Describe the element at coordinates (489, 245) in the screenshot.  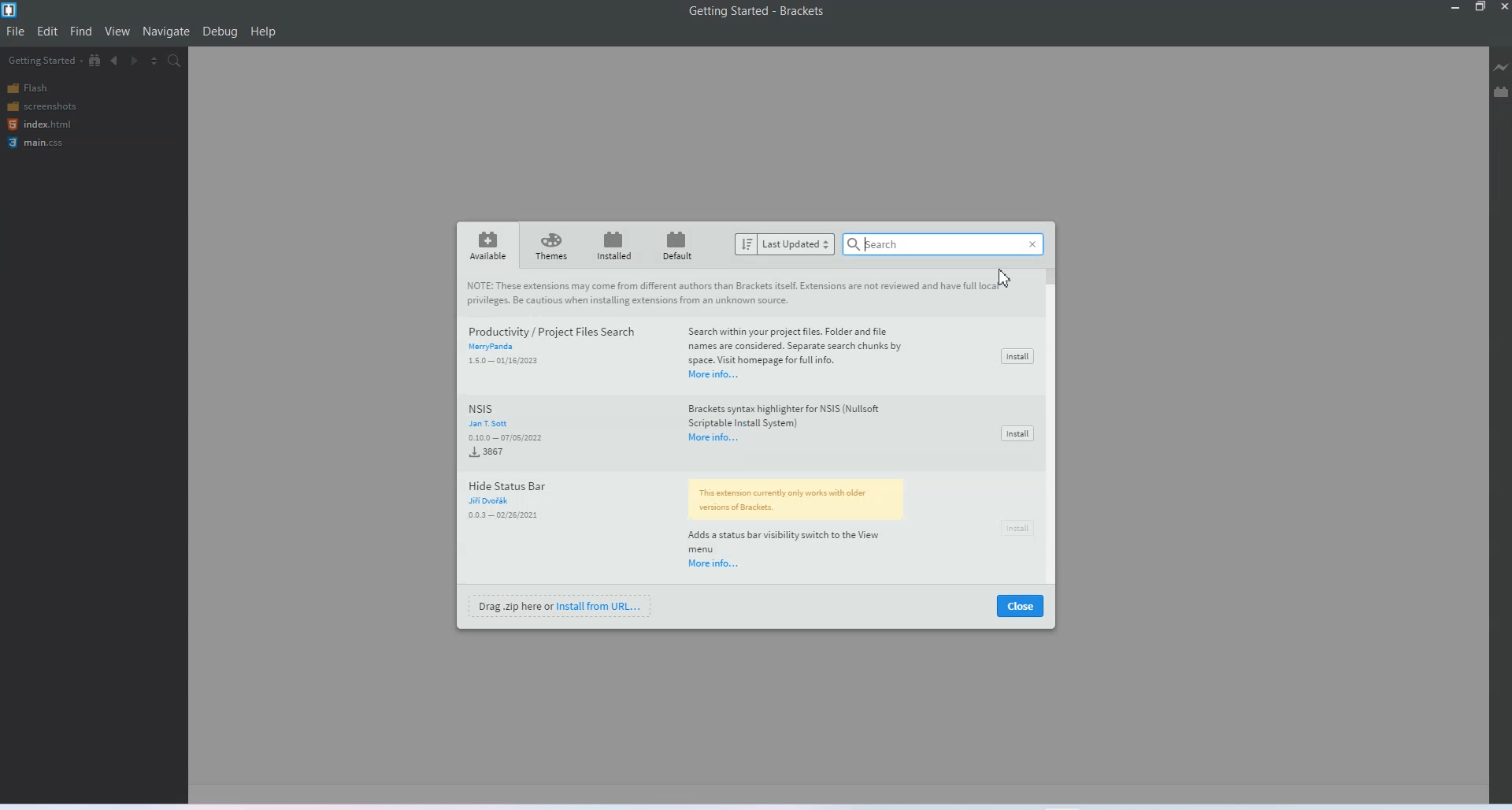
I see `Available` at that location.